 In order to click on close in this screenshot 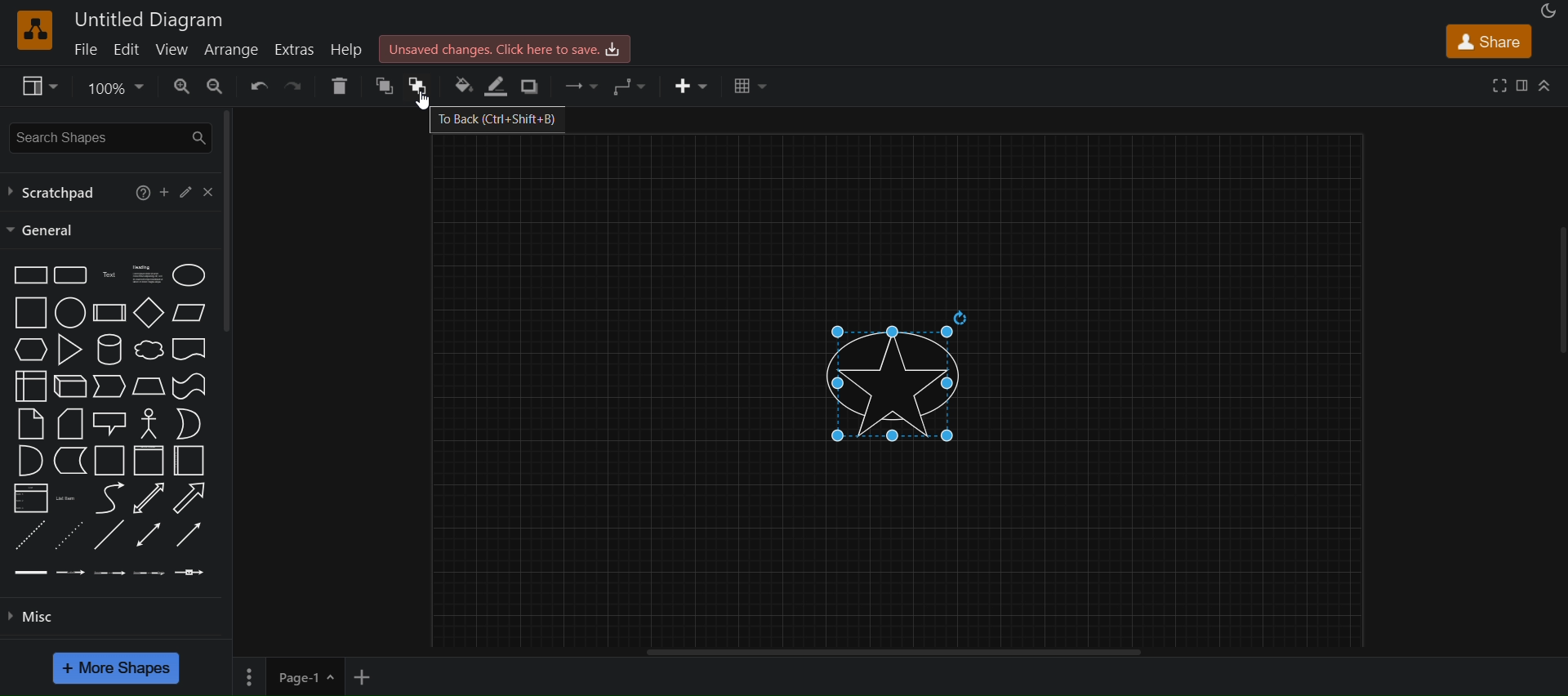, I will do `click(212, 190)`.